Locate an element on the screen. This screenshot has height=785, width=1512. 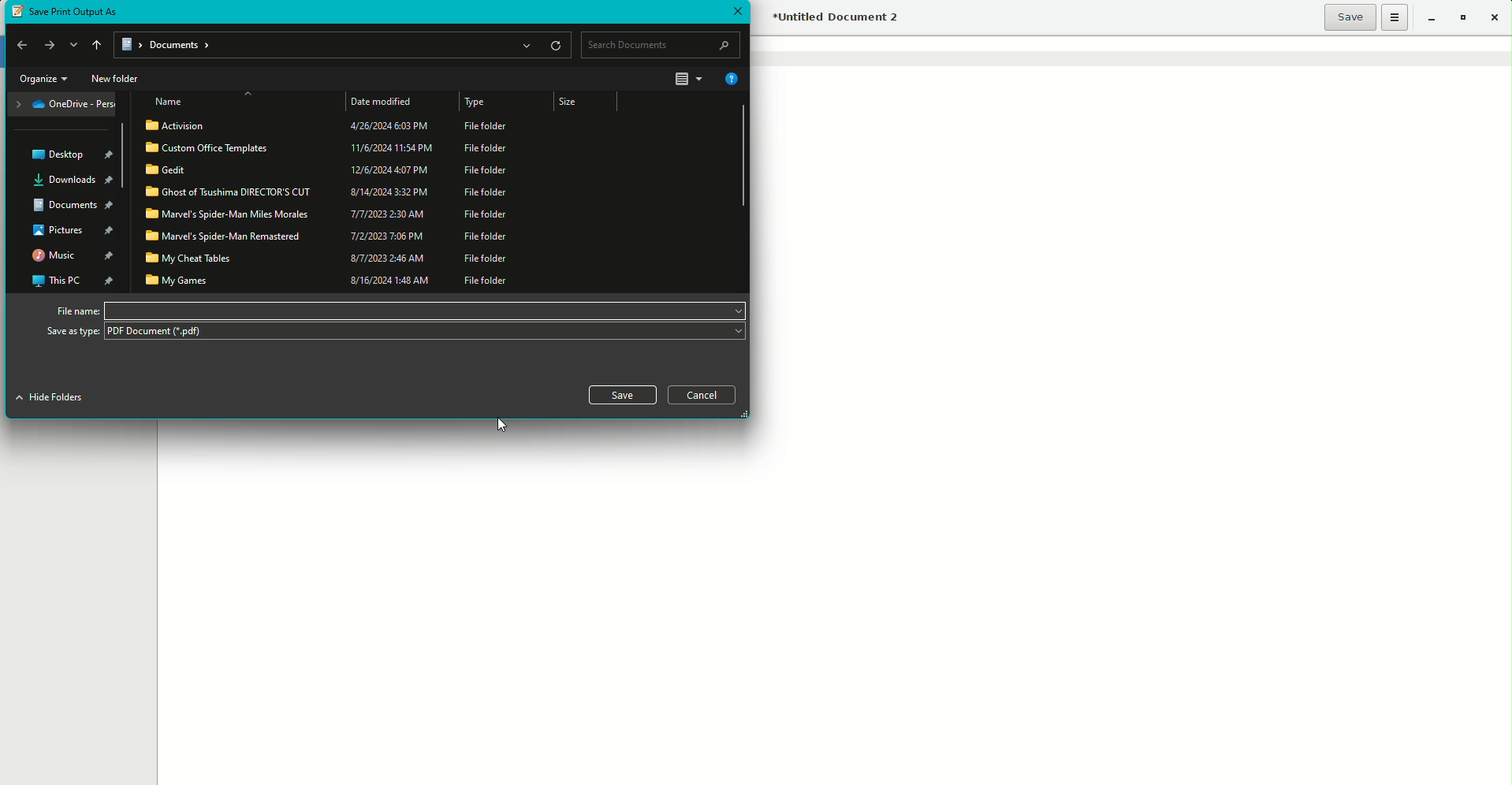
Downloads is located at coordinates (75, 180).